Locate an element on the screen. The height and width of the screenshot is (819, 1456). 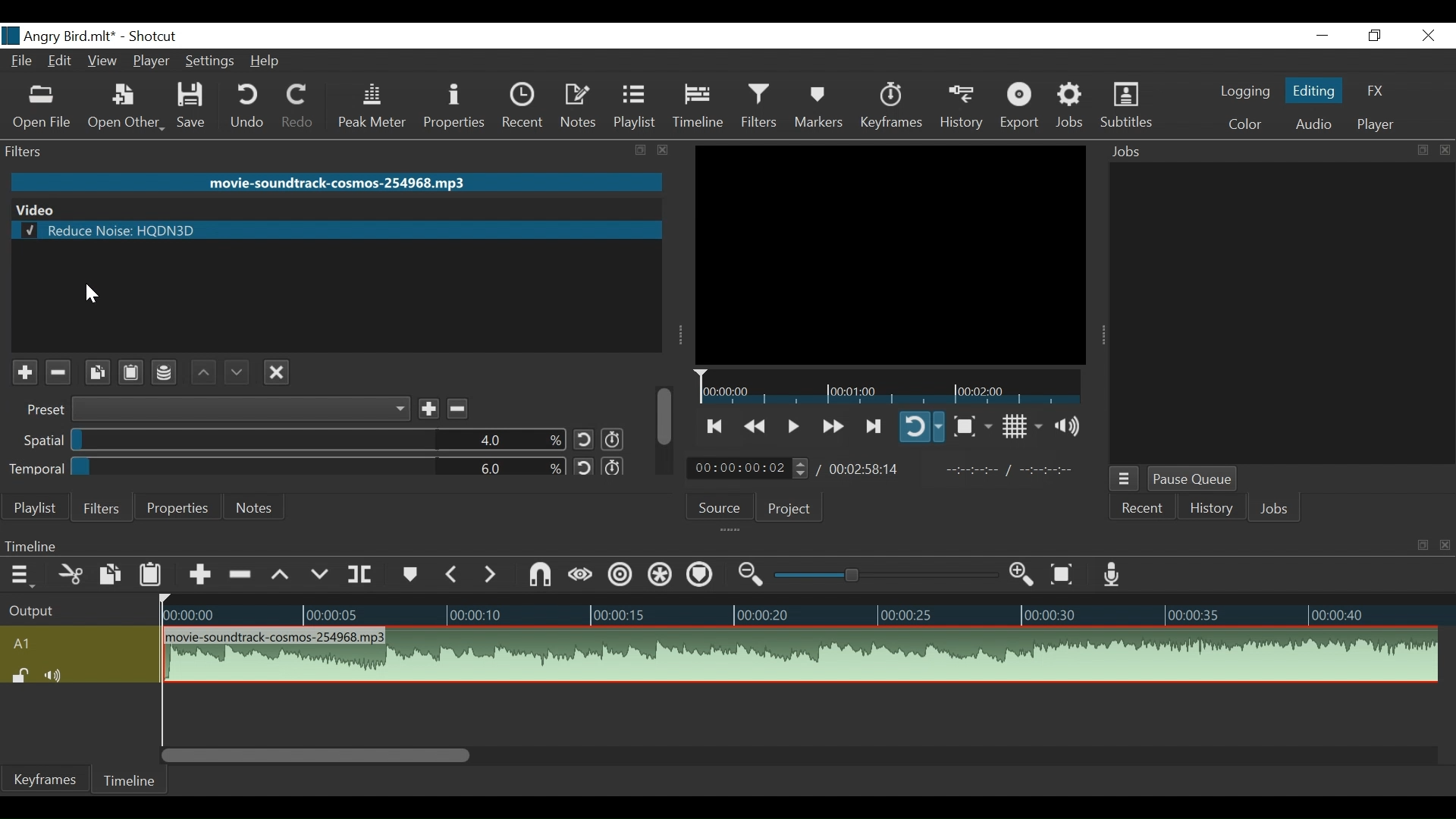
Notes is located at coordinates (257, 507).